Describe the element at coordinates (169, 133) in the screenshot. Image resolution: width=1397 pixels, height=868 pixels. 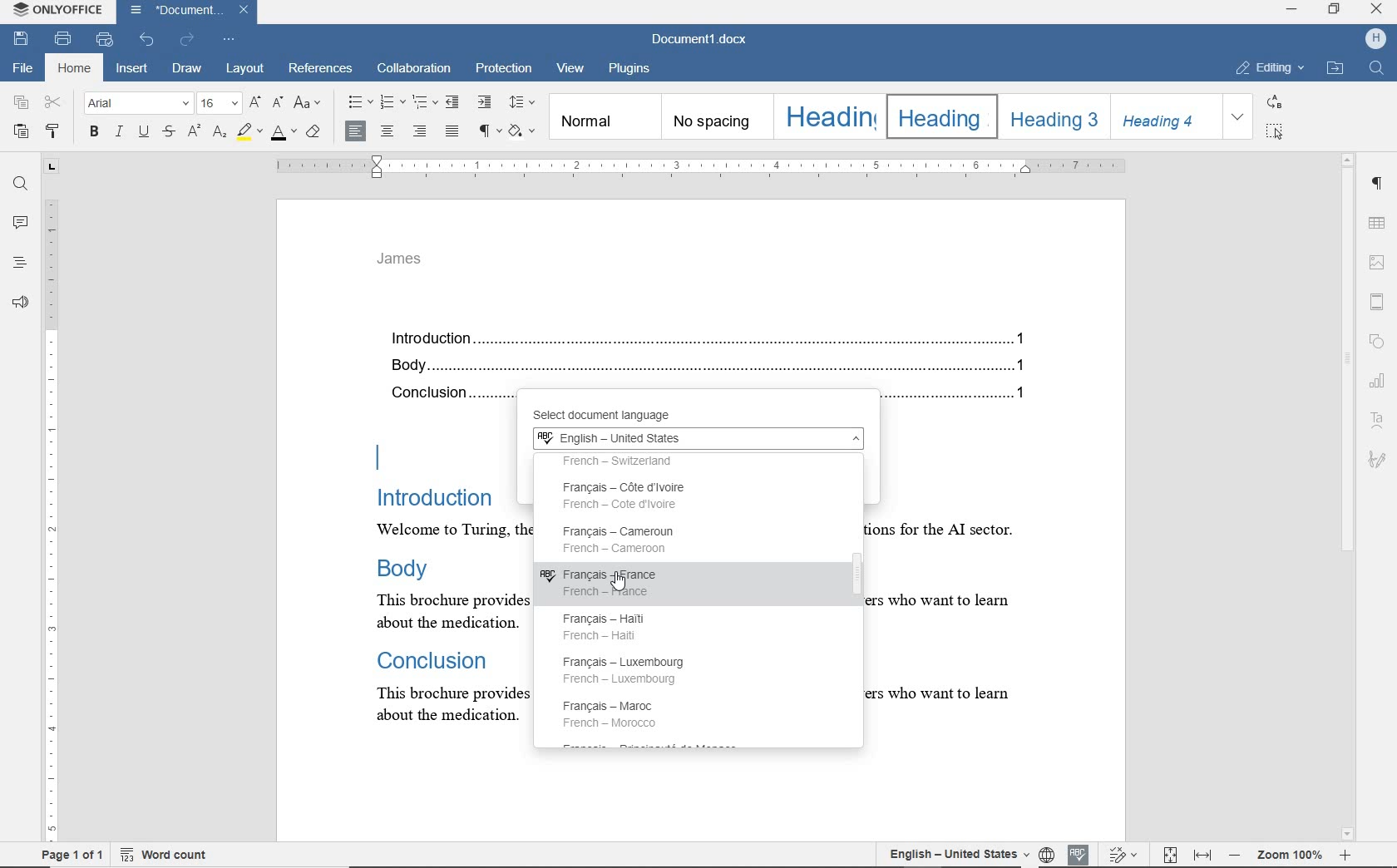
I see `strikethrough` at that location.